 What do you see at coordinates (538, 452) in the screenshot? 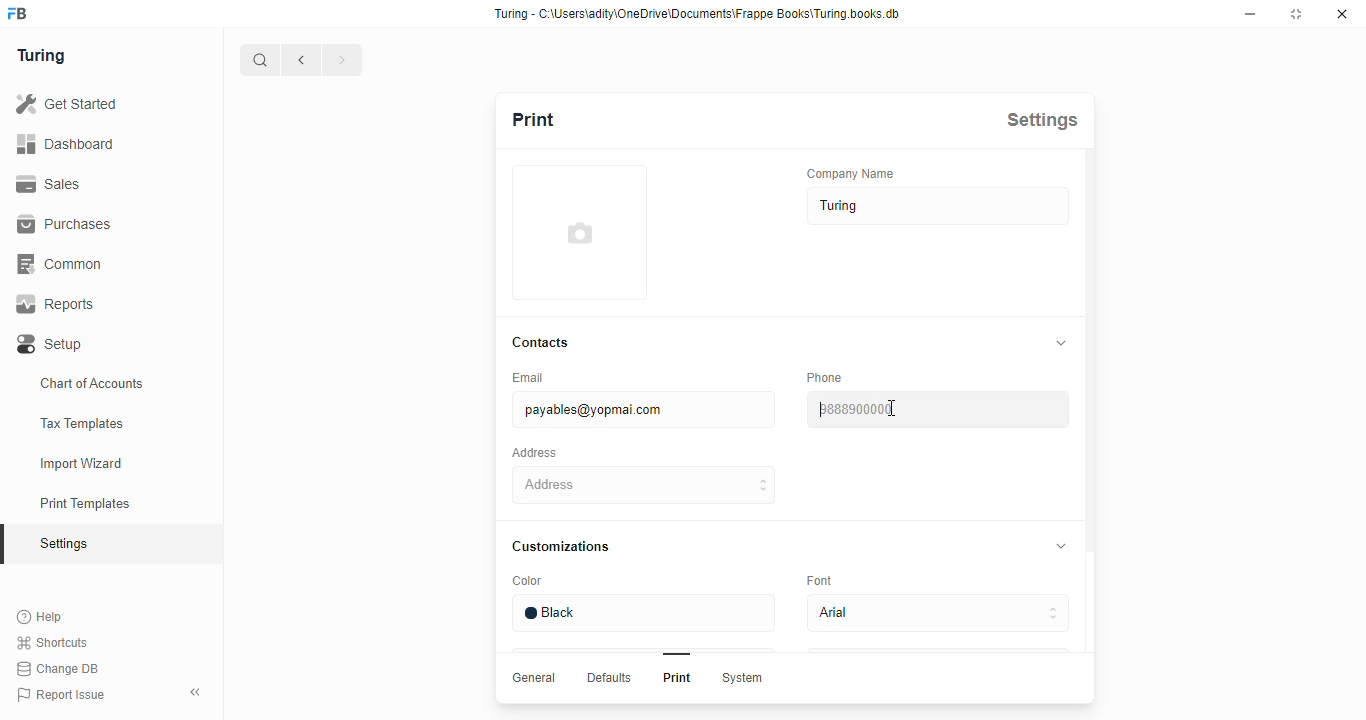
I see `Address` at bounding box center [538, 452].